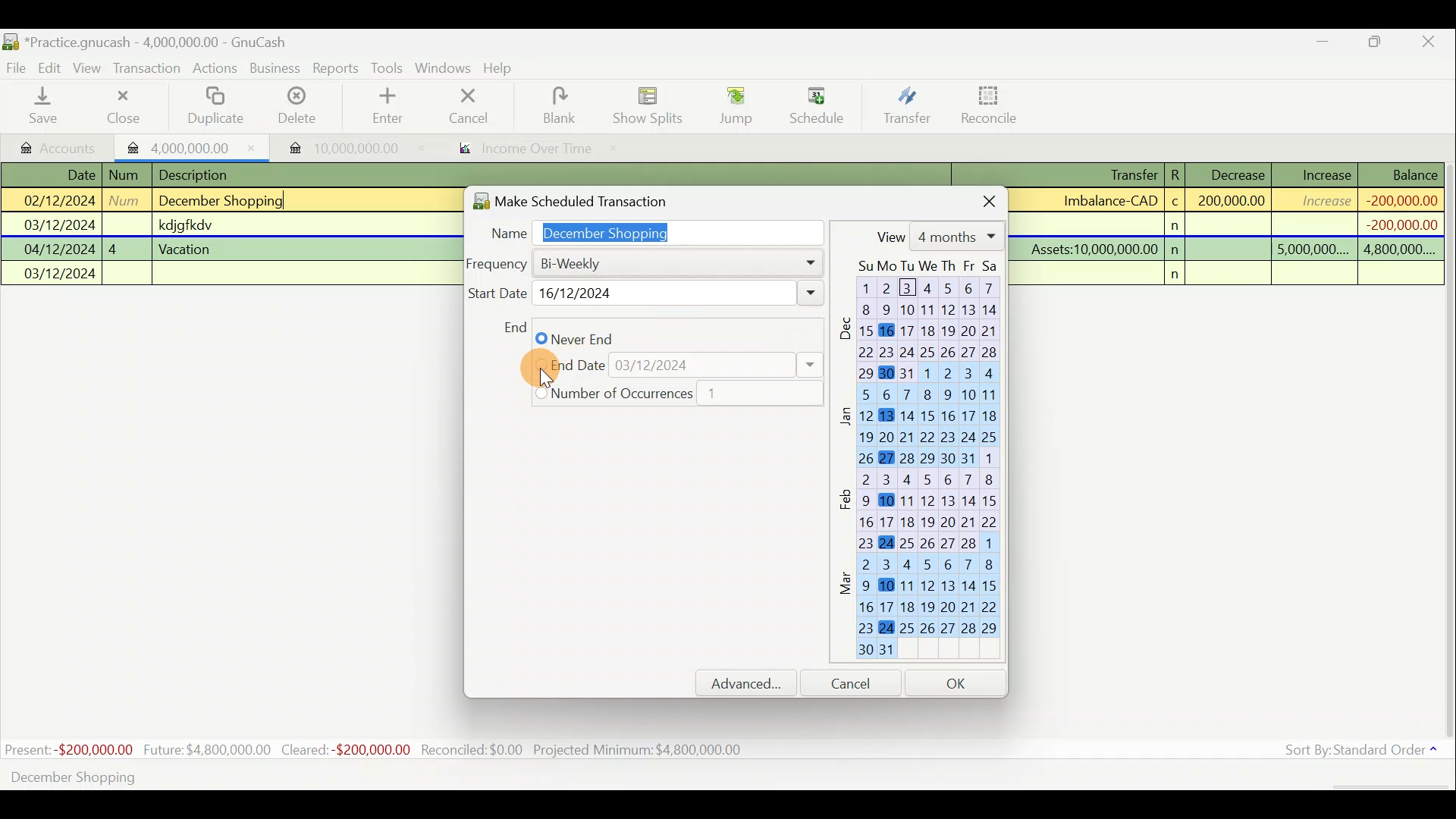  What do you see at coordinates (212, 107) in the screenshot?
I see `Duplicate` at bounding box center [212, 107].